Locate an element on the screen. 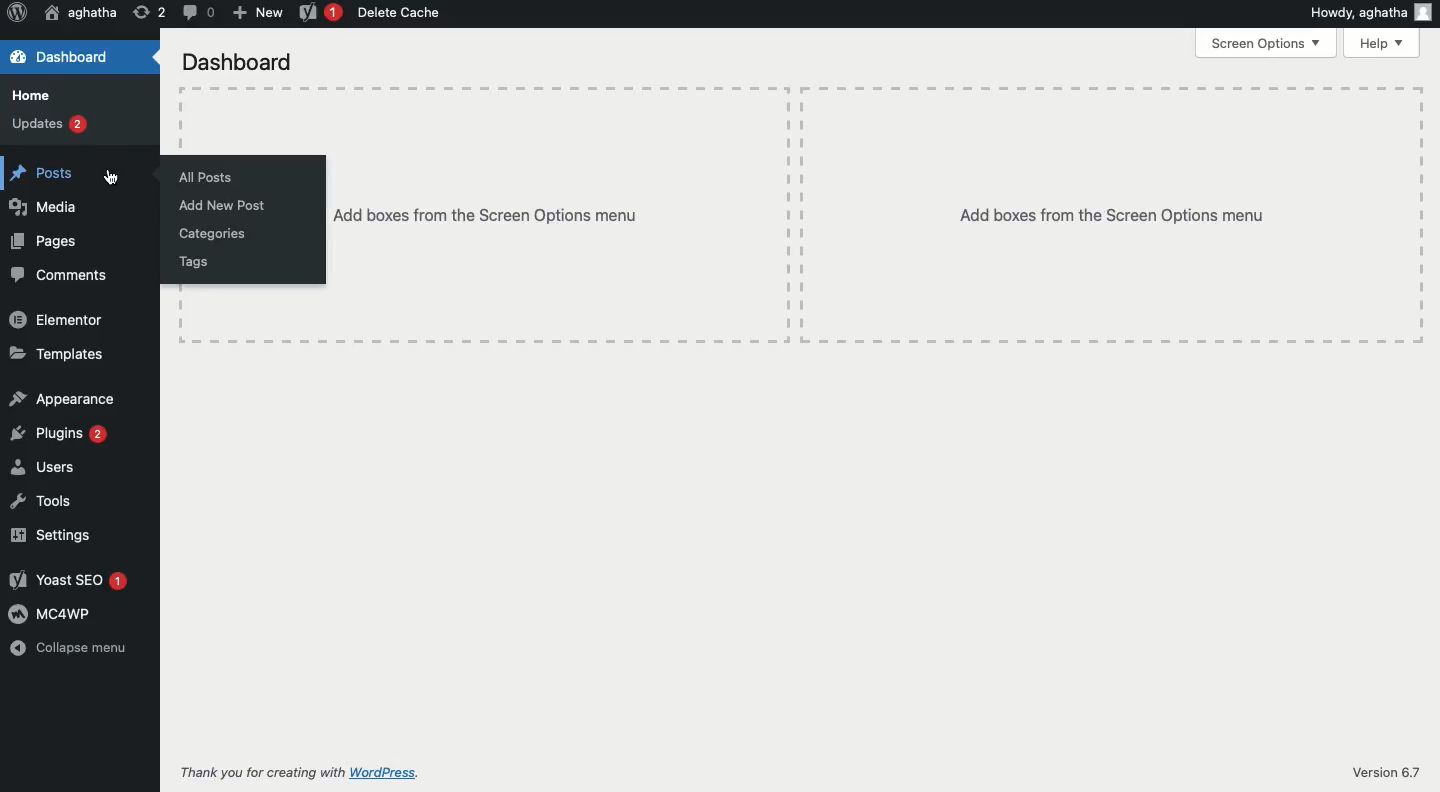  Screen options is located at coordinates (1267, 44).